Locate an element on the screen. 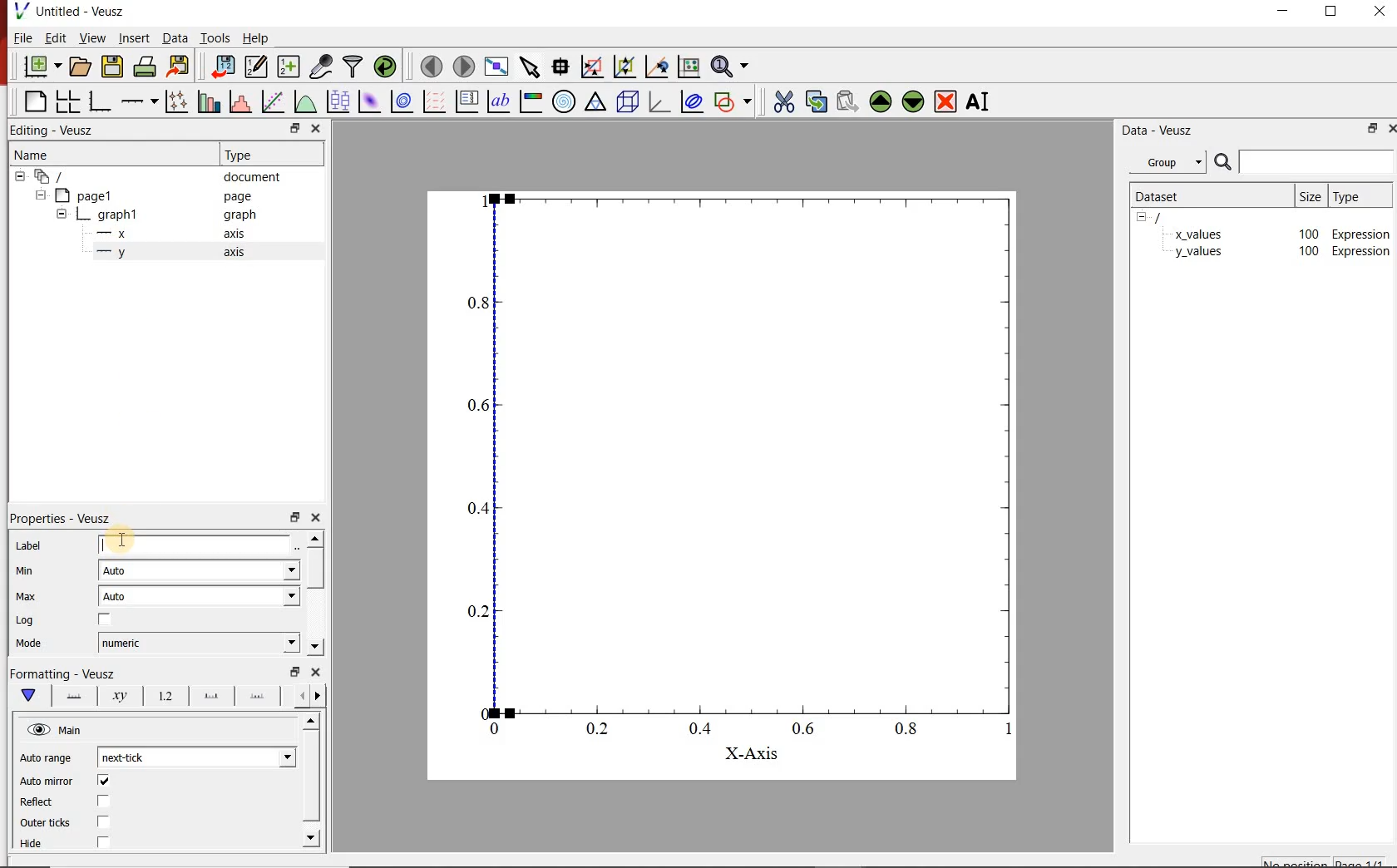 Image resolution: width=1397 pixels, height=868 pixels. hide view is located at coordinates (57, 728).